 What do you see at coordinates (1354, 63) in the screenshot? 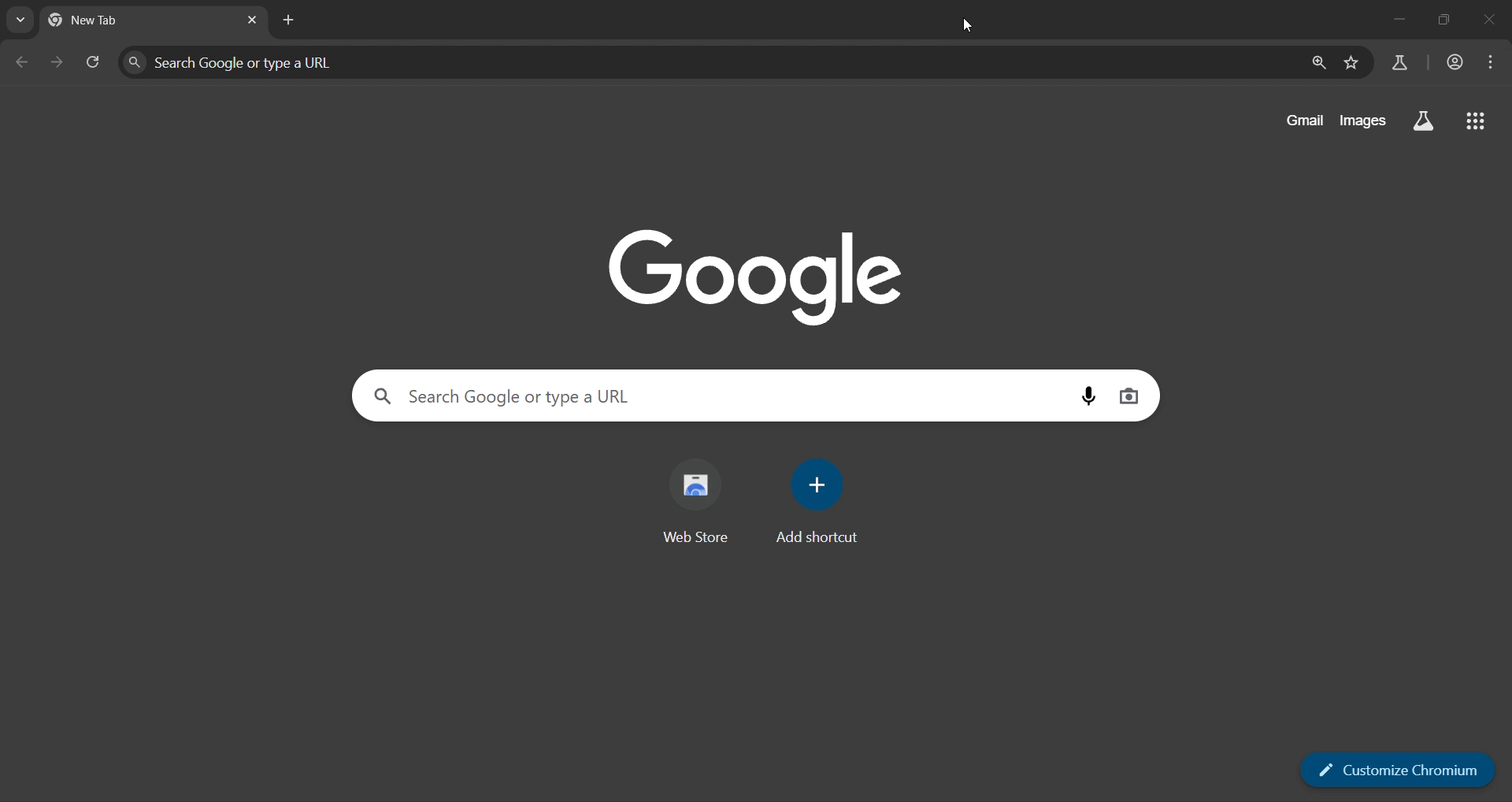
I see `bookmark page` at bounding box center [1354, 63].